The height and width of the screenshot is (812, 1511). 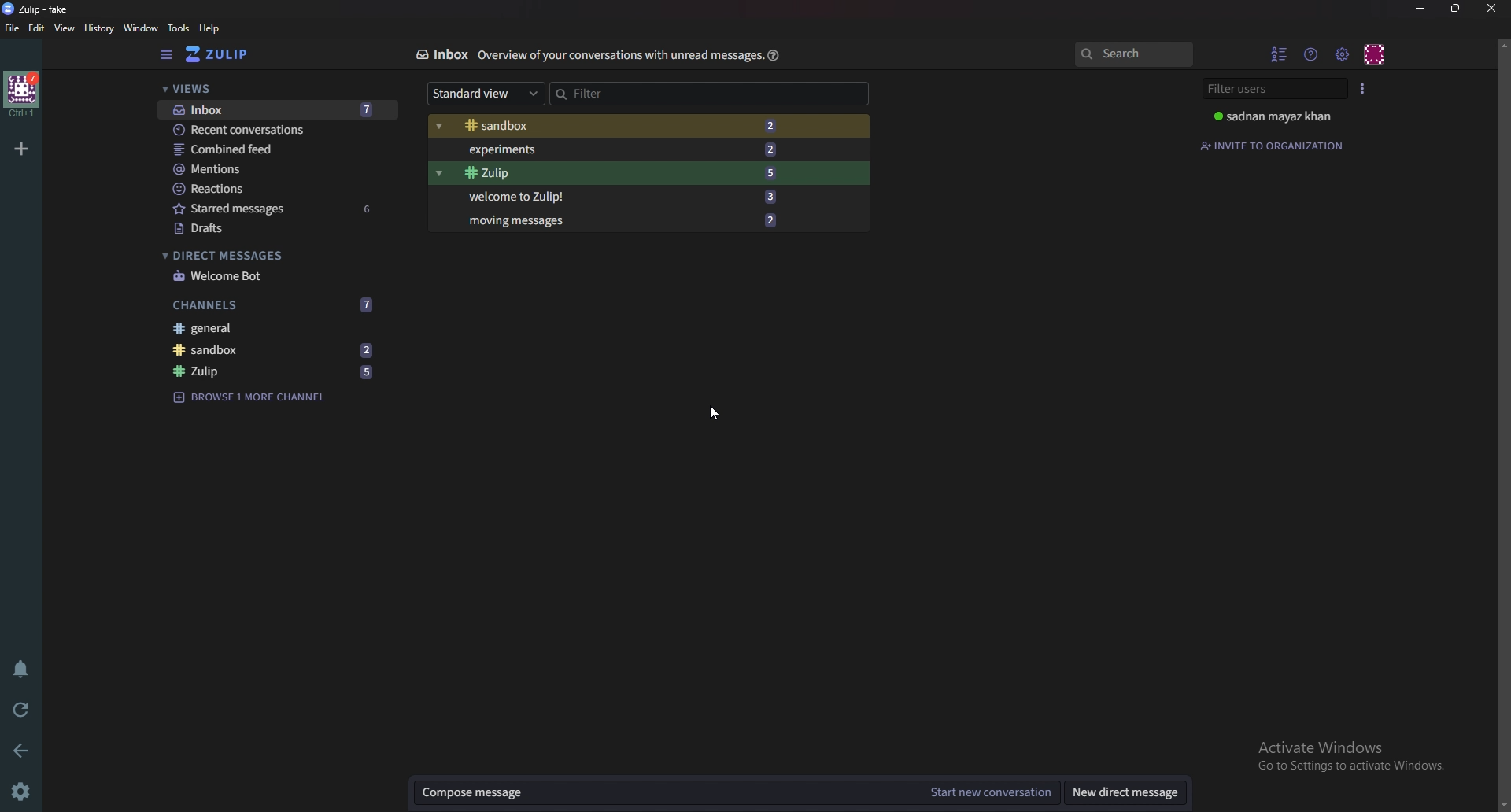 I want to click on Views, so click(x=269, y=90).